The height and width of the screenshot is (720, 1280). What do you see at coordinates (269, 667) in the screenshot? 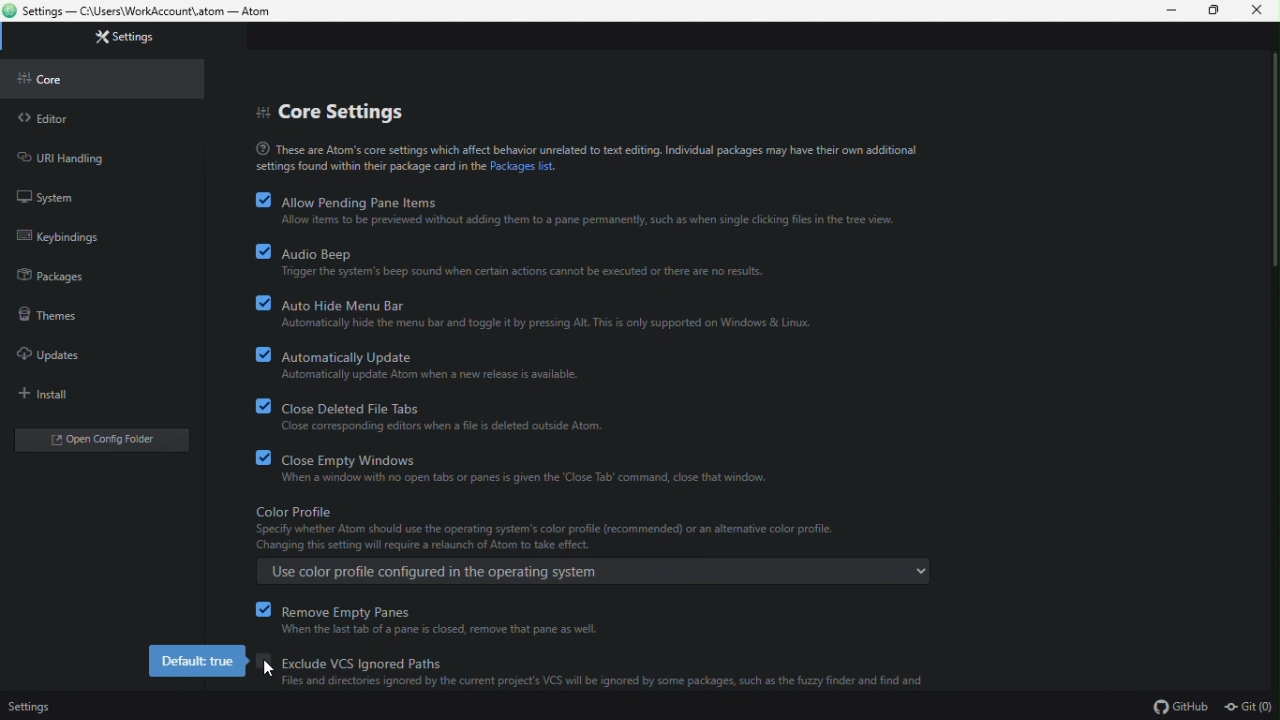
I see `Cursor` at bounding box center [269, 667].